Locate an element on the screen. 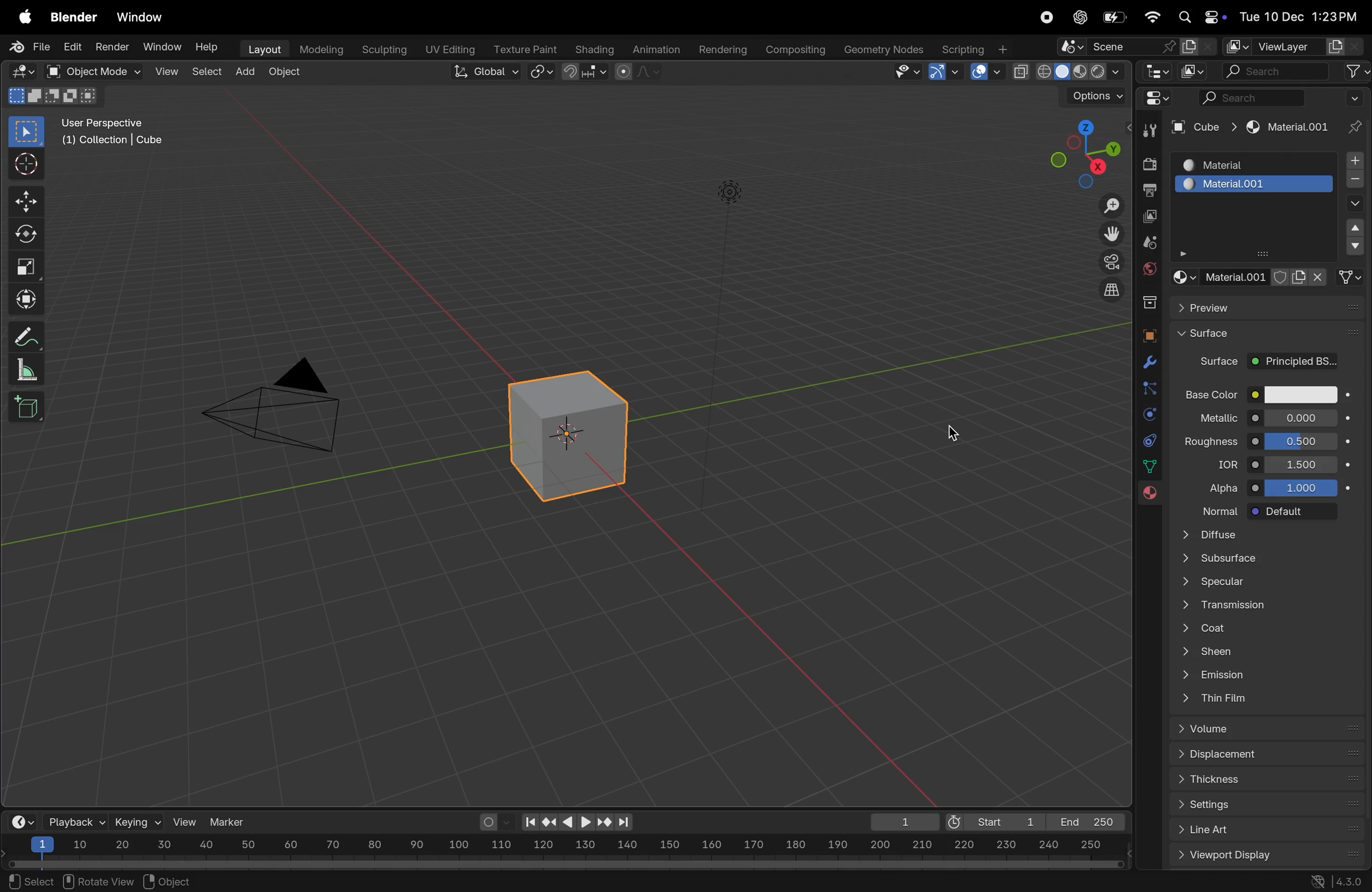 Image resolution: width=1372 pixels, height=892 pixels. object is located at coordinates (285, 73).